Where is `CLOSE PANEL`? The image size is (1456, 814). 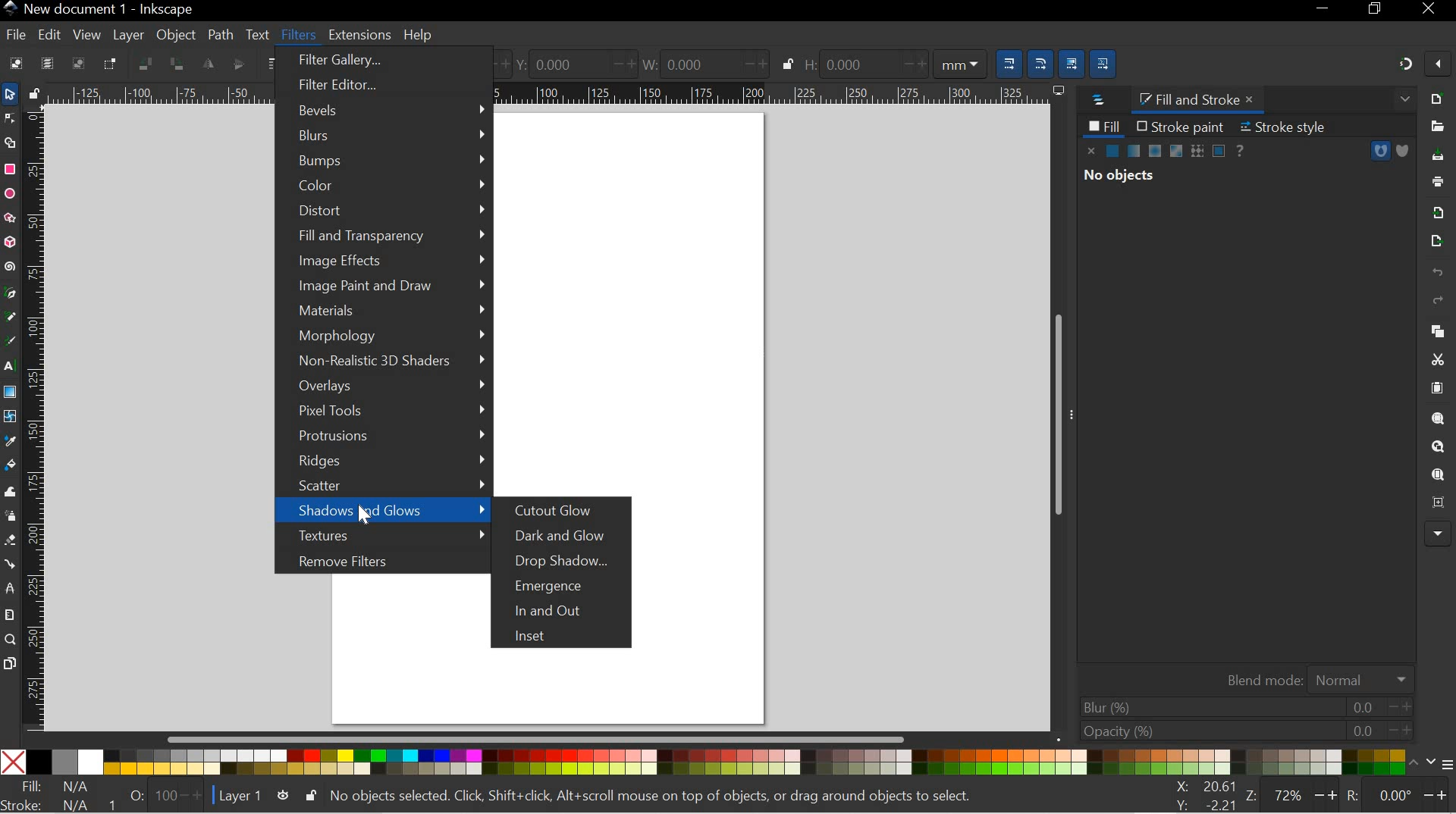
CLOSE PANEL is located at coordinates (1402, 101).